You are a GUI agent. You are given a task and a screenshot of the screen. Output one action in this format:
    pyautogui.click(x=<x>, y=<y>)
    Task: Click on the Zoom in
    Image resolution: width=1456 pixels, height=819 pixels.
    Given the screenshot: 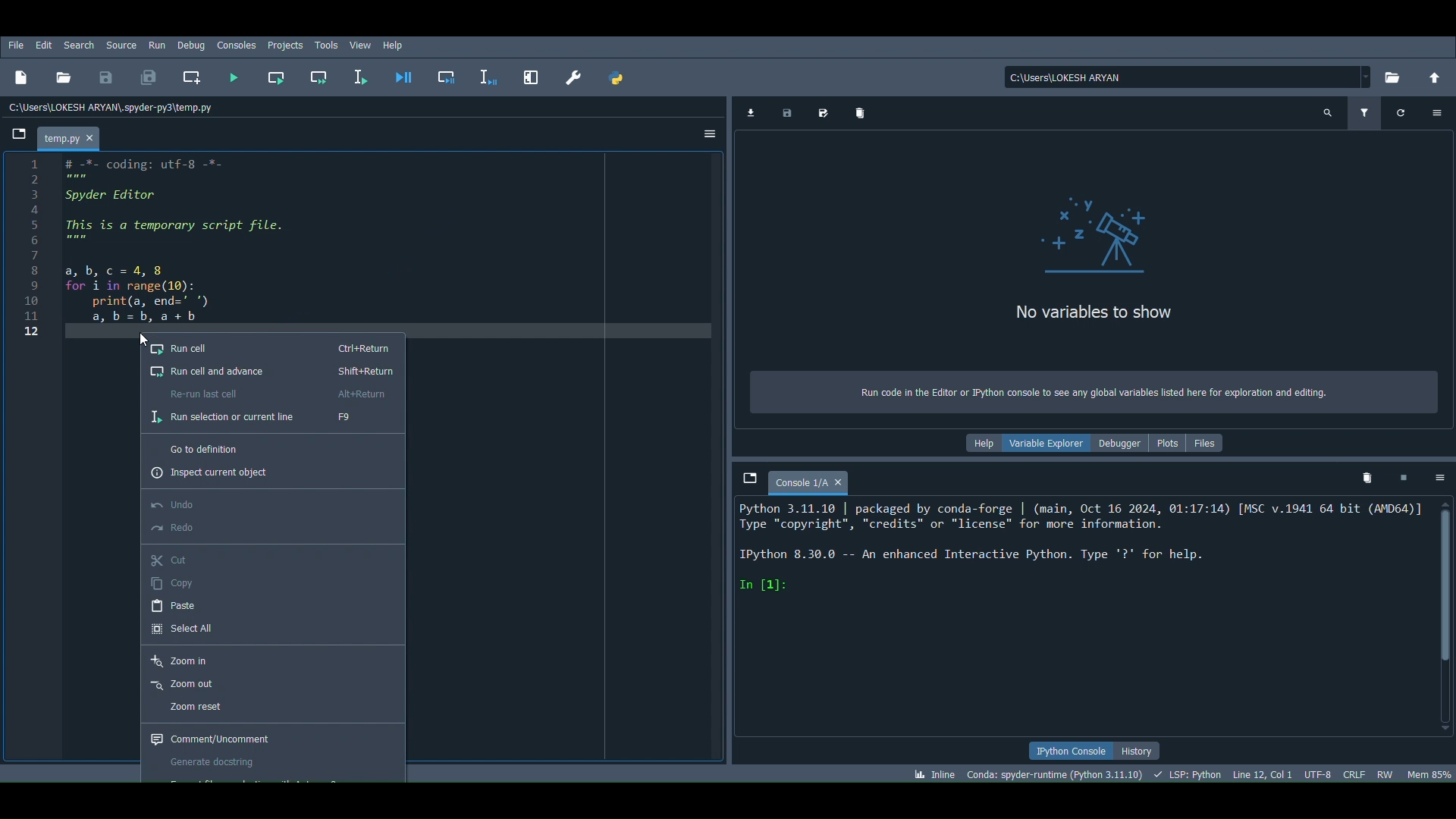 What is the action you would take?
    pyautogui.click(x=273, y=658)
    